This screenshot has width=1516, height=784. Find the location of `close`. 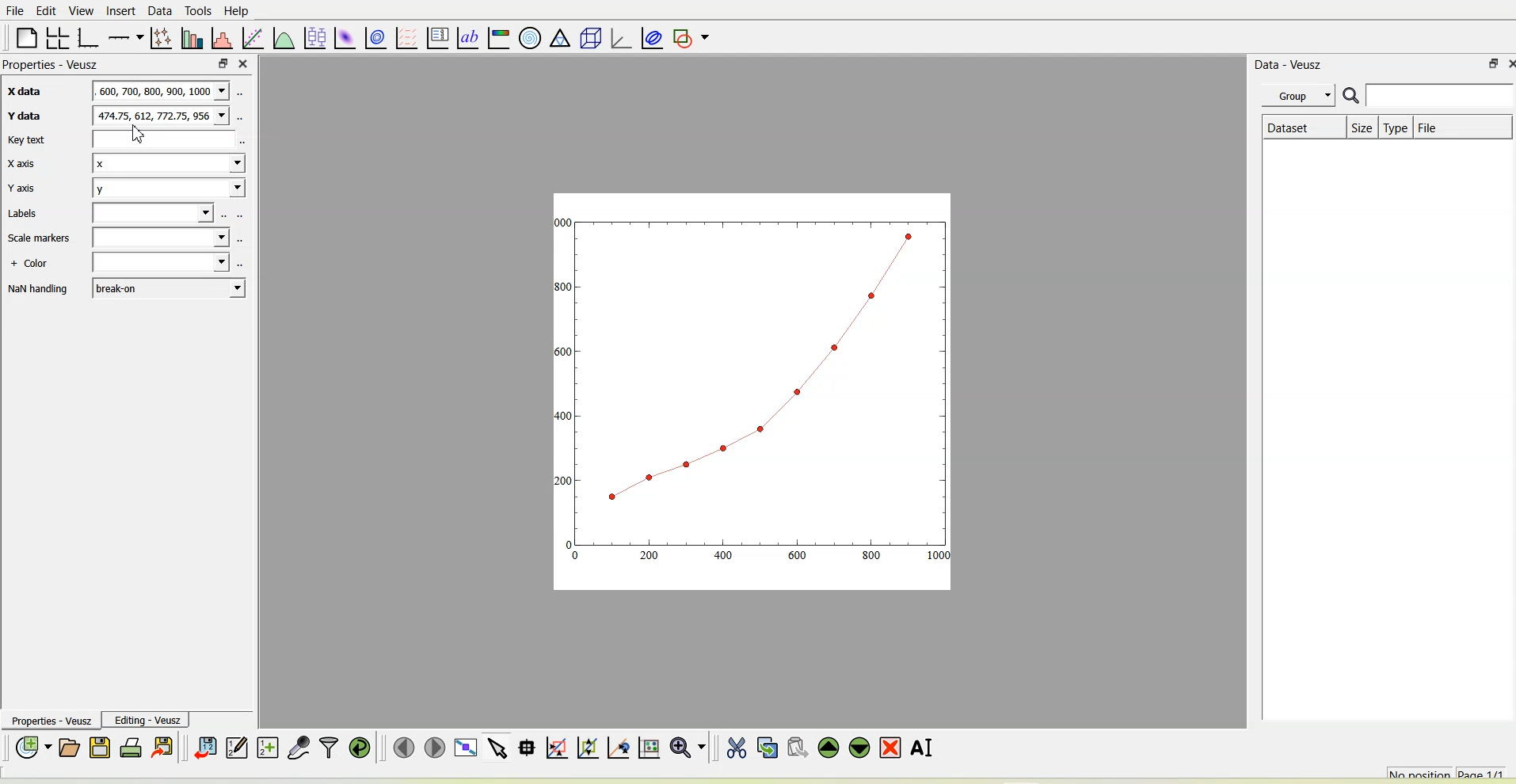

close is located at coordinates (1506, 63).